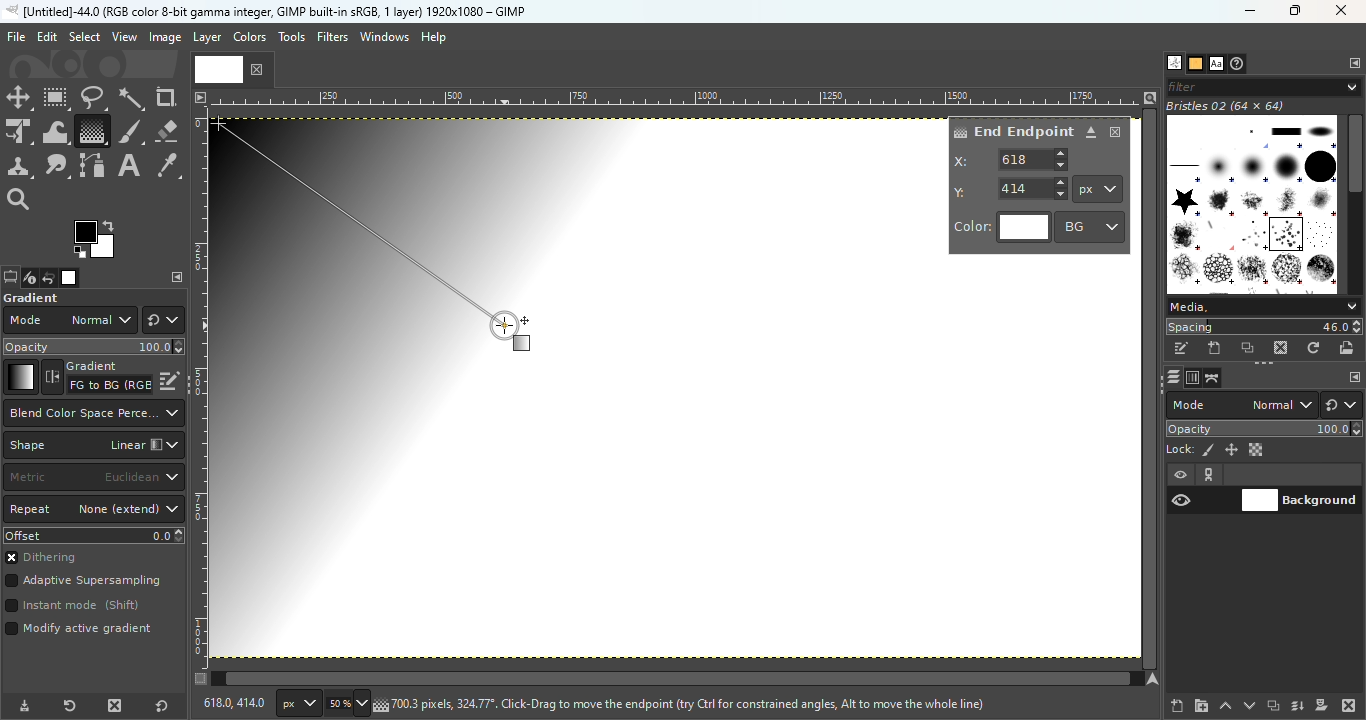 The image size is (1366, 720). What do you see at coordinates (1264, 327) in the screenshot?
I see `Spacing` at bounding box center [1264, 327].